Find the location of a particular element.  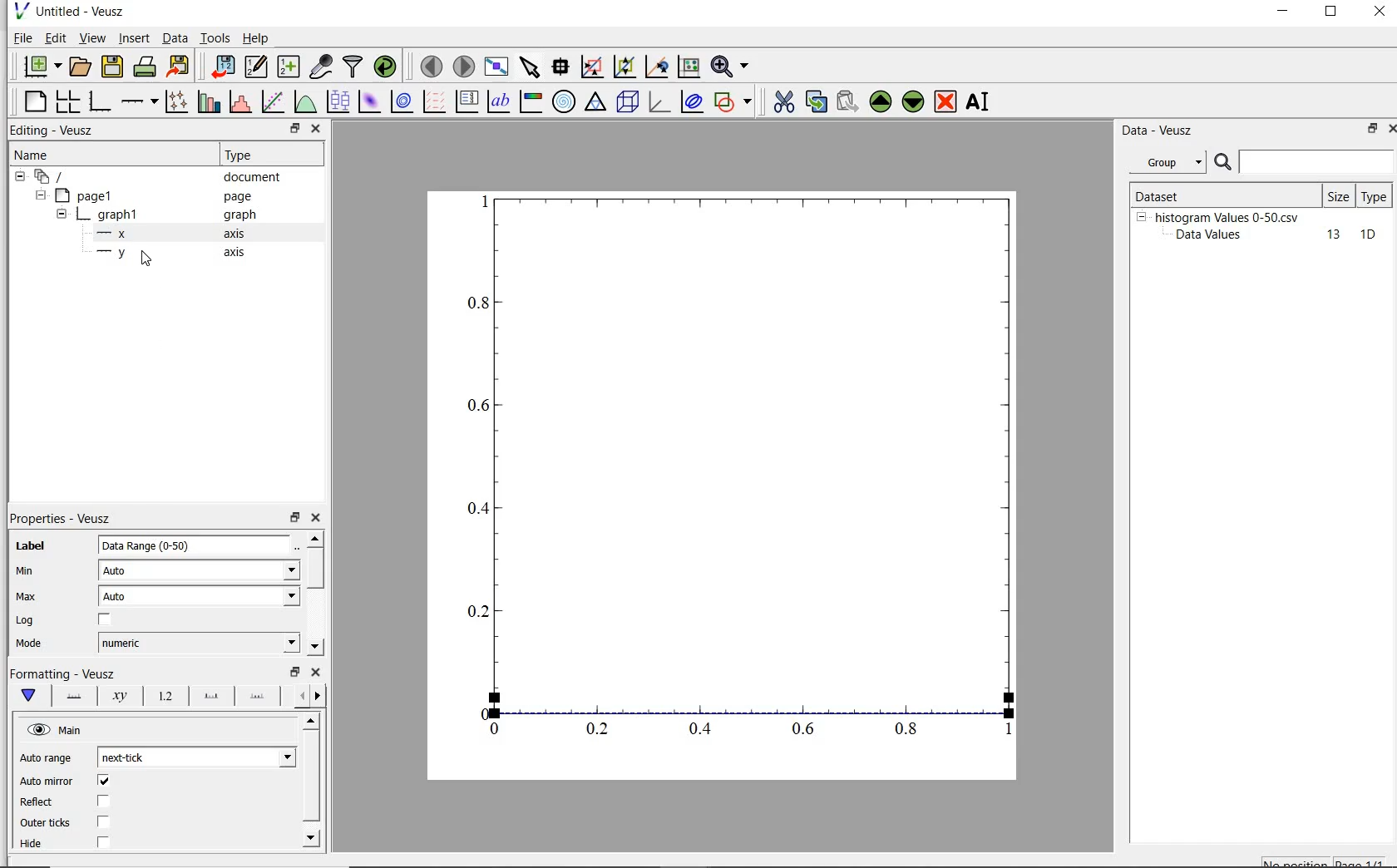

hide is located at coordinates (1141, 216).